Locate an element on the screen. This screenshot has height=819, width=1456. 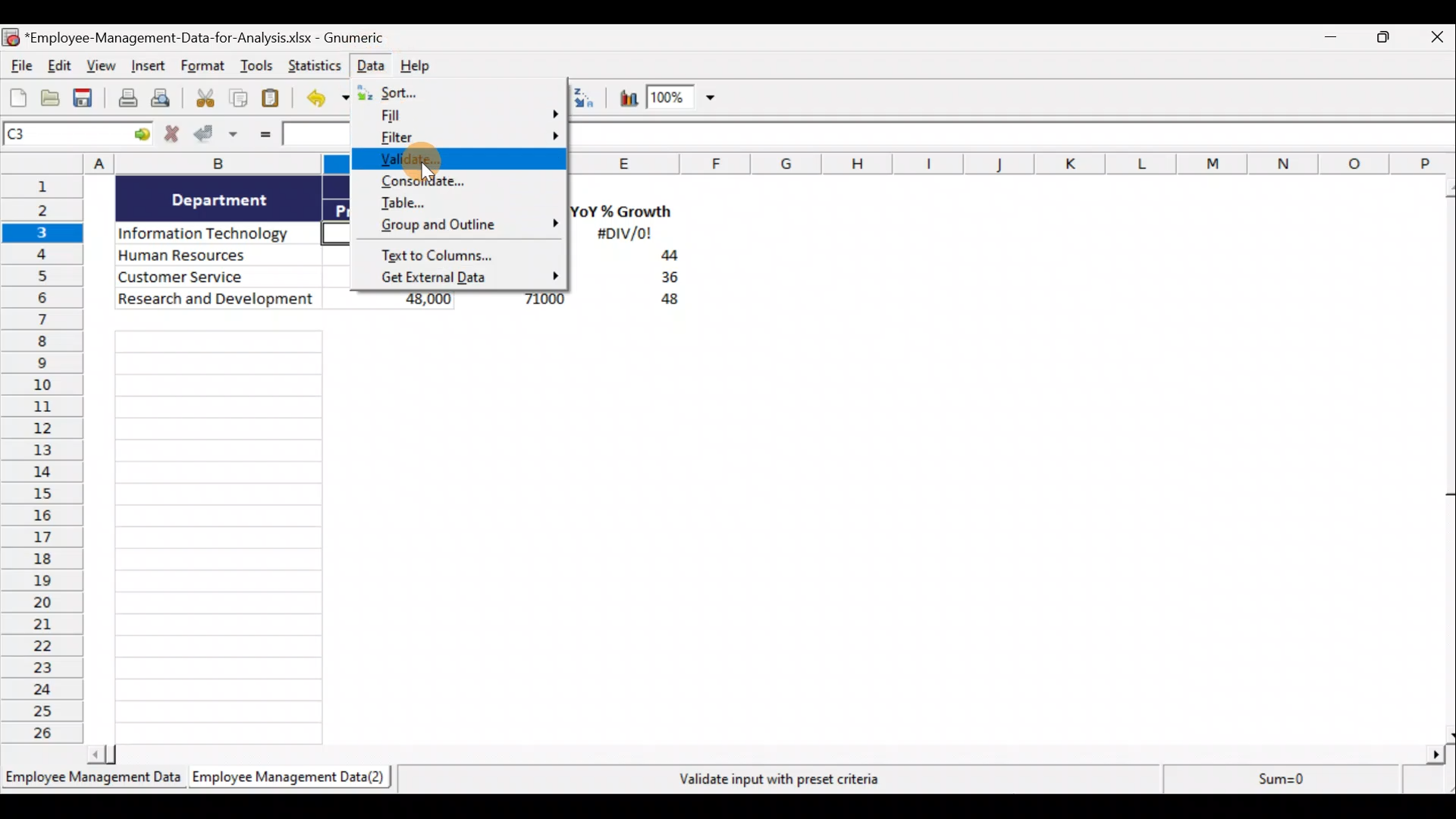
Close is located at coordinates (1434, 40).